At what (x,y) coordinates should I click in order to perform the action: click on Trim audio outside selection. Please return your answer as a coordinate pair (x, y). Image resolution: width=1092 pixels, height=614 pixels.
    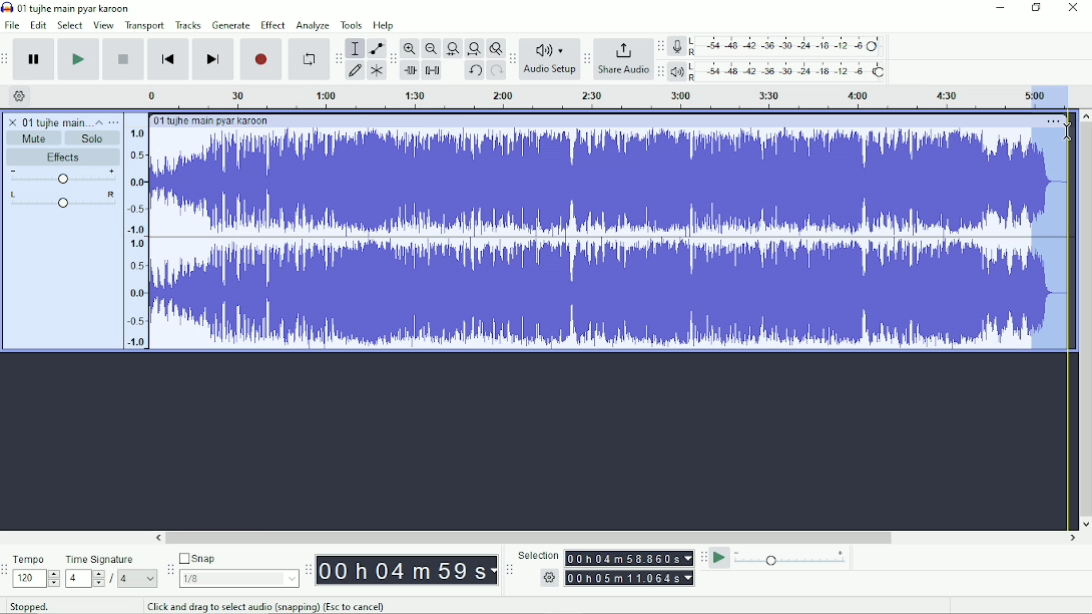
    Looking at the image, I should click on (410, 71).